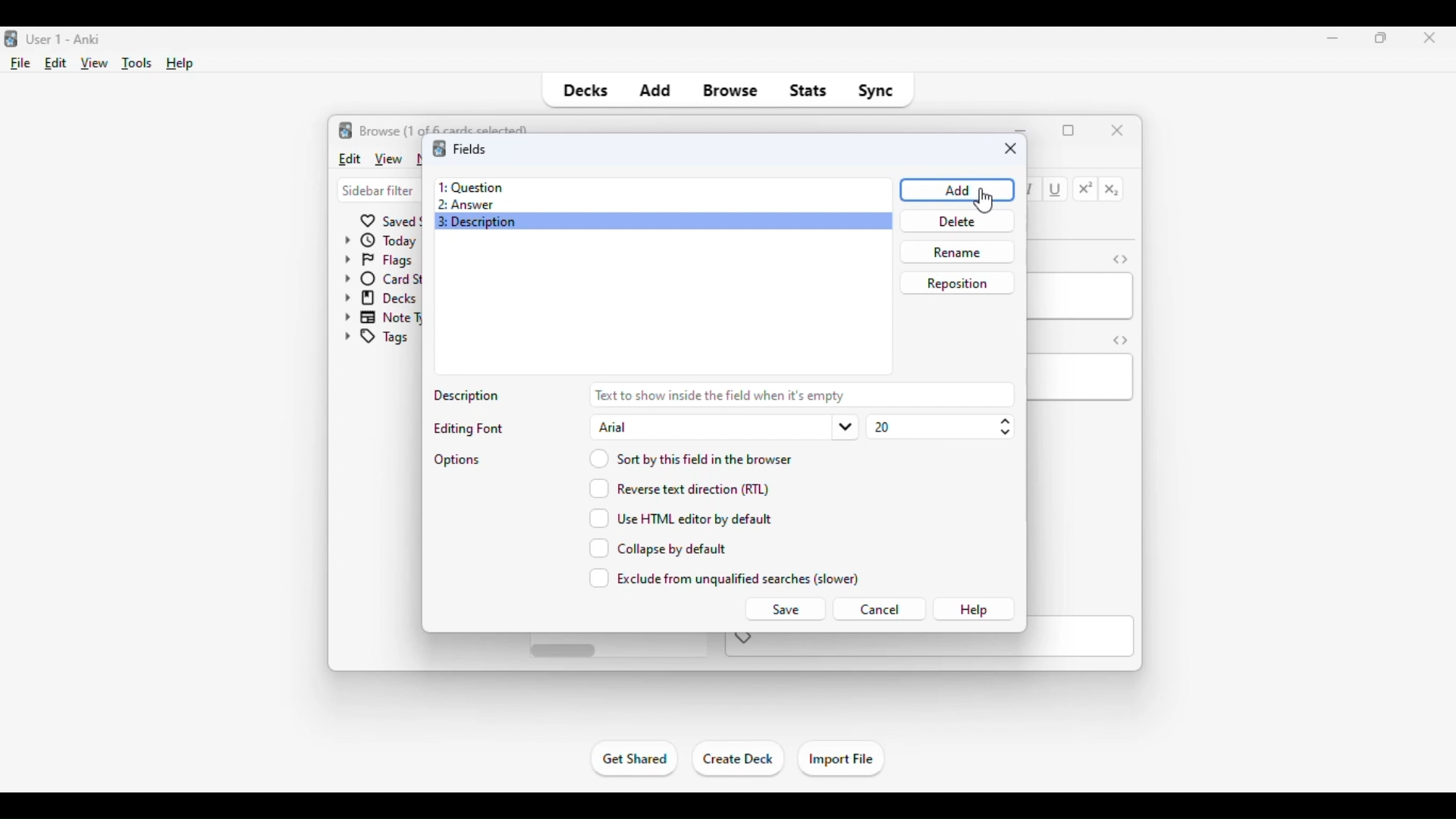 Image resolution: width=1456 pixels, height=819 pixels. What do you see at coordinates (802, 394) in the screenshot?
I see `text to show inside the field when it's empty` at bounding box center [802, 394].